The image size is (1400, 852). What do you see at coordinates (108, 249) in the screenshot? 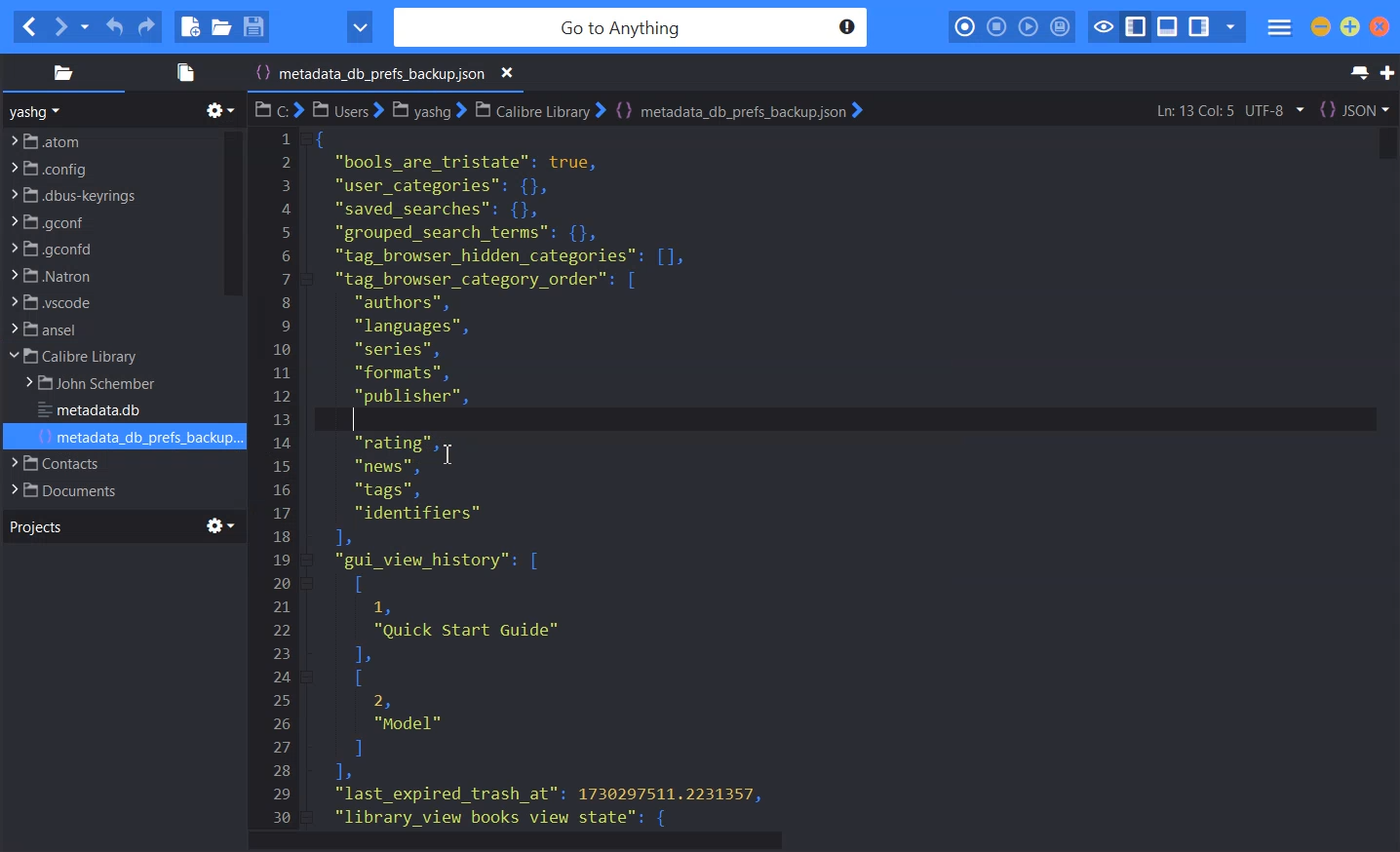
I see `File` at bounding box center [108, 249].